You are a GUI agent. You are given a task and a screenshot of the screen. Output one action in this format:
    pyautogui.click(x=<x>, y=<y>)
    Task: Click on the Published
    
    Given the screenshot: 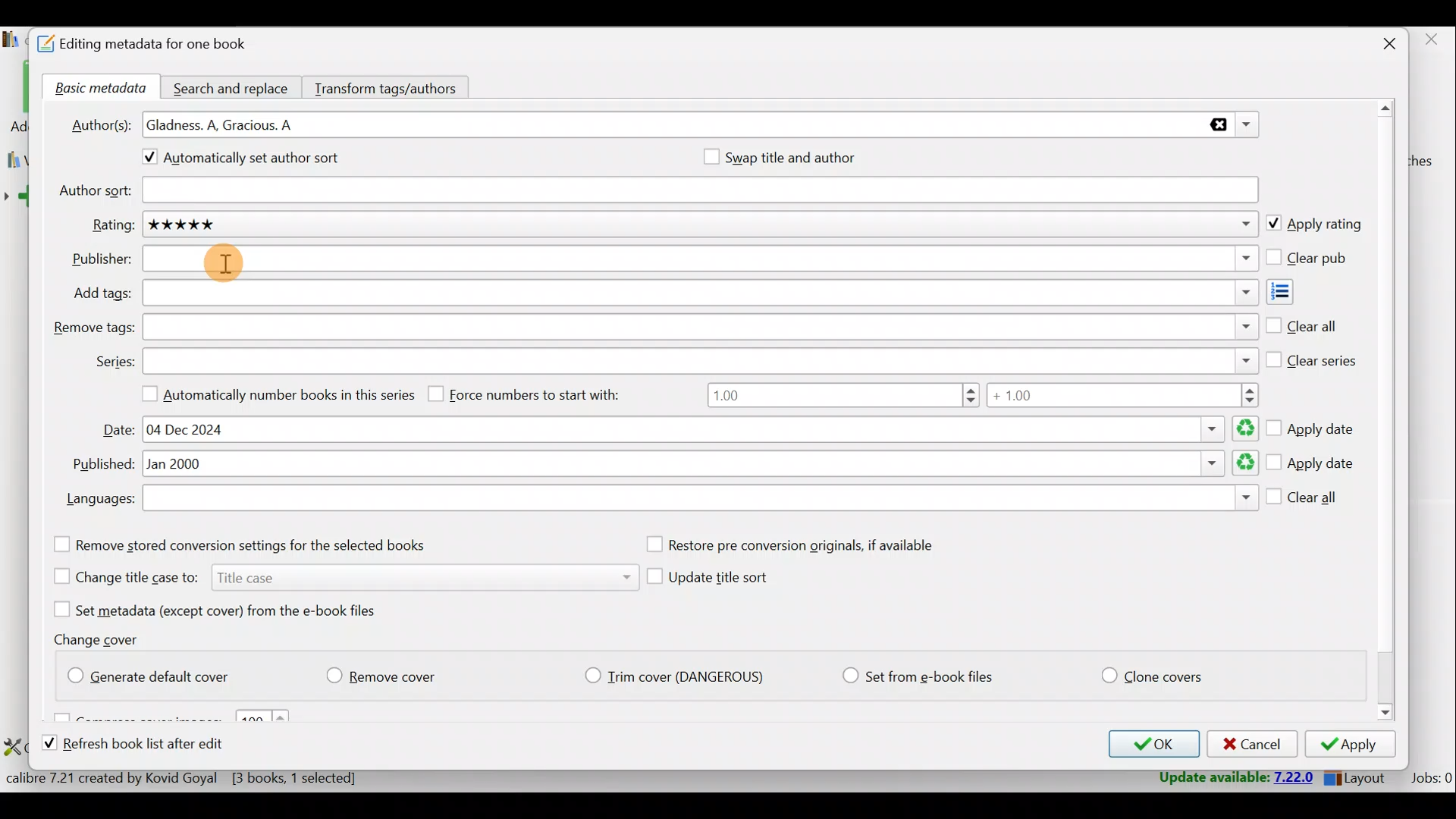 What is the action you would take?
    pyautogui.click(x=701, y=465)
    